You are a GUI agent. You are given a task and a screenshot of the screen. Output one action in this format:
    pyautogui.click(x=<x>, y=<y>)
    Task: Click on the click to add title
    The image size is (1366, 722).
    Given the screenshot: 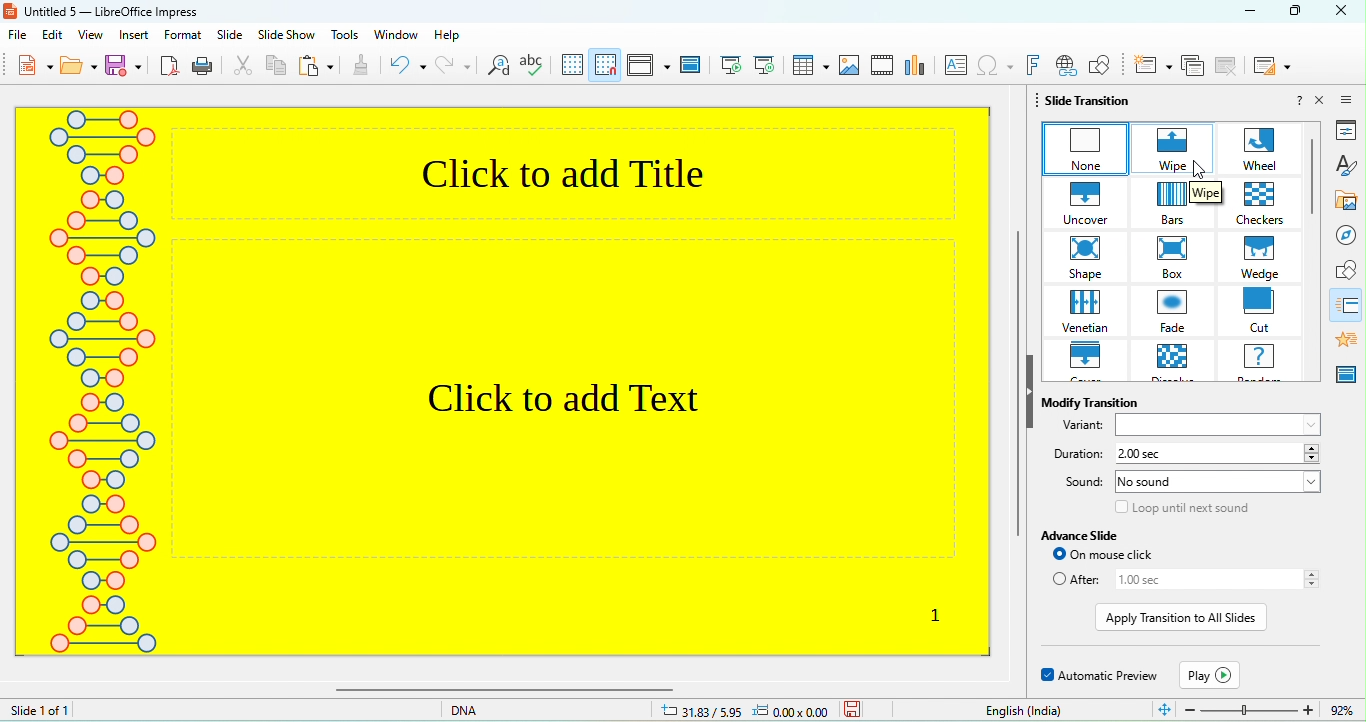 What is the action you would take?
    pyautogui.click(x=581, y=170)
    